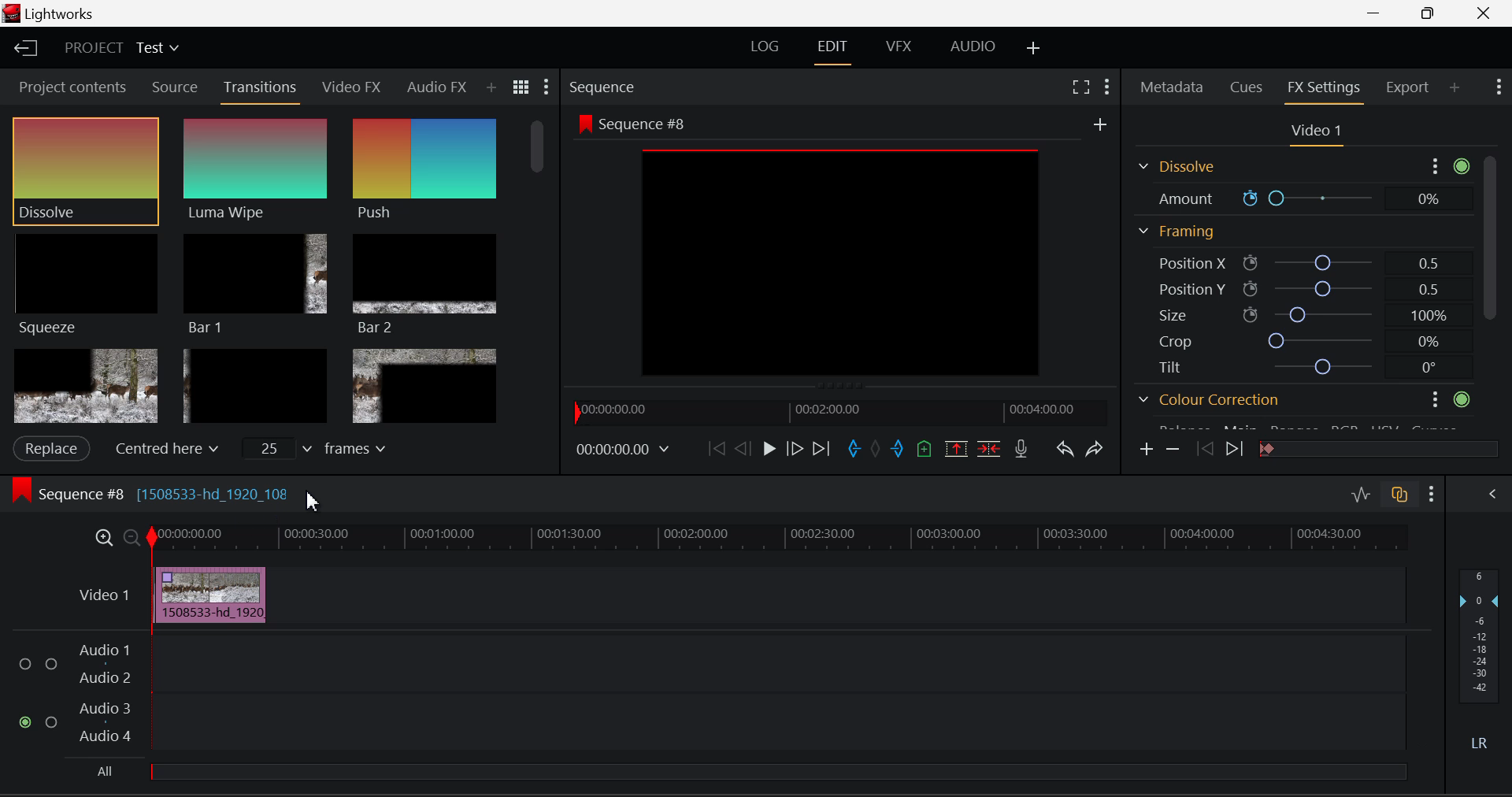 This screenshot has width=1512, height=797. What do you see at coordinates (24, 665) in the screenshot?
I see `Audio Input Checkbox` at bounding box center [24, 665].